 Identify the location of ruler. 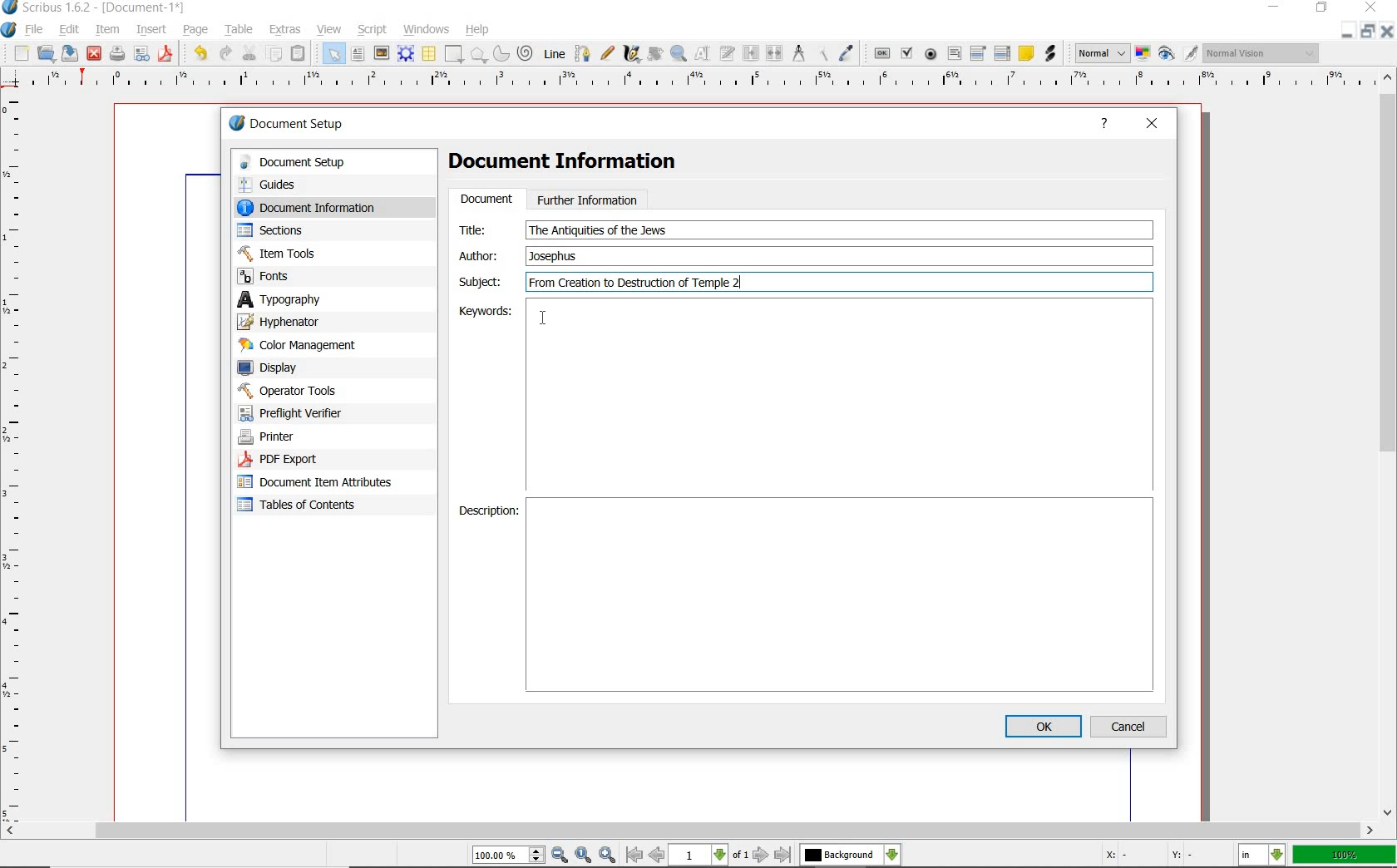
(705, 83).